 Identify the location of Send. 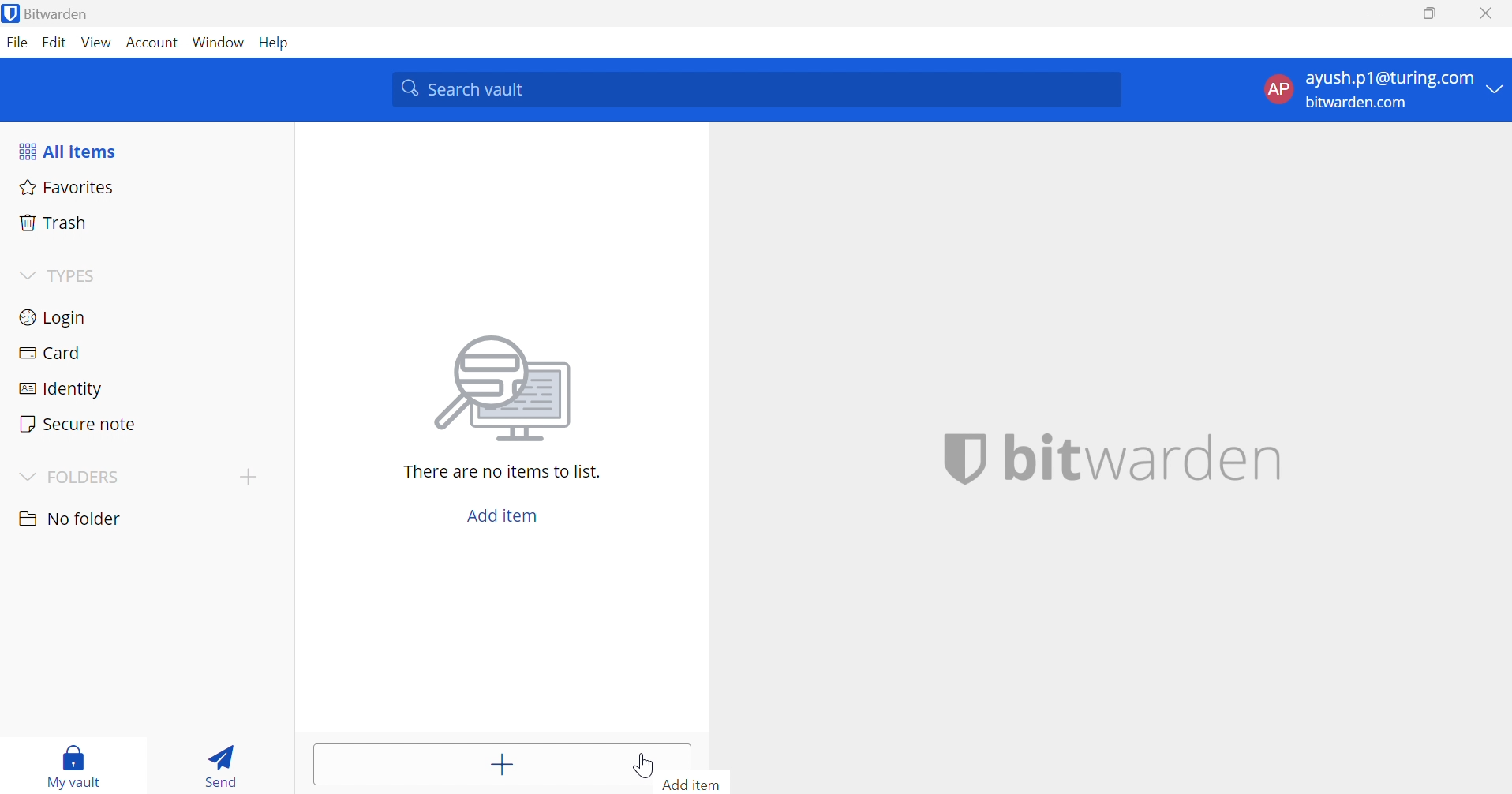
(219, 769).